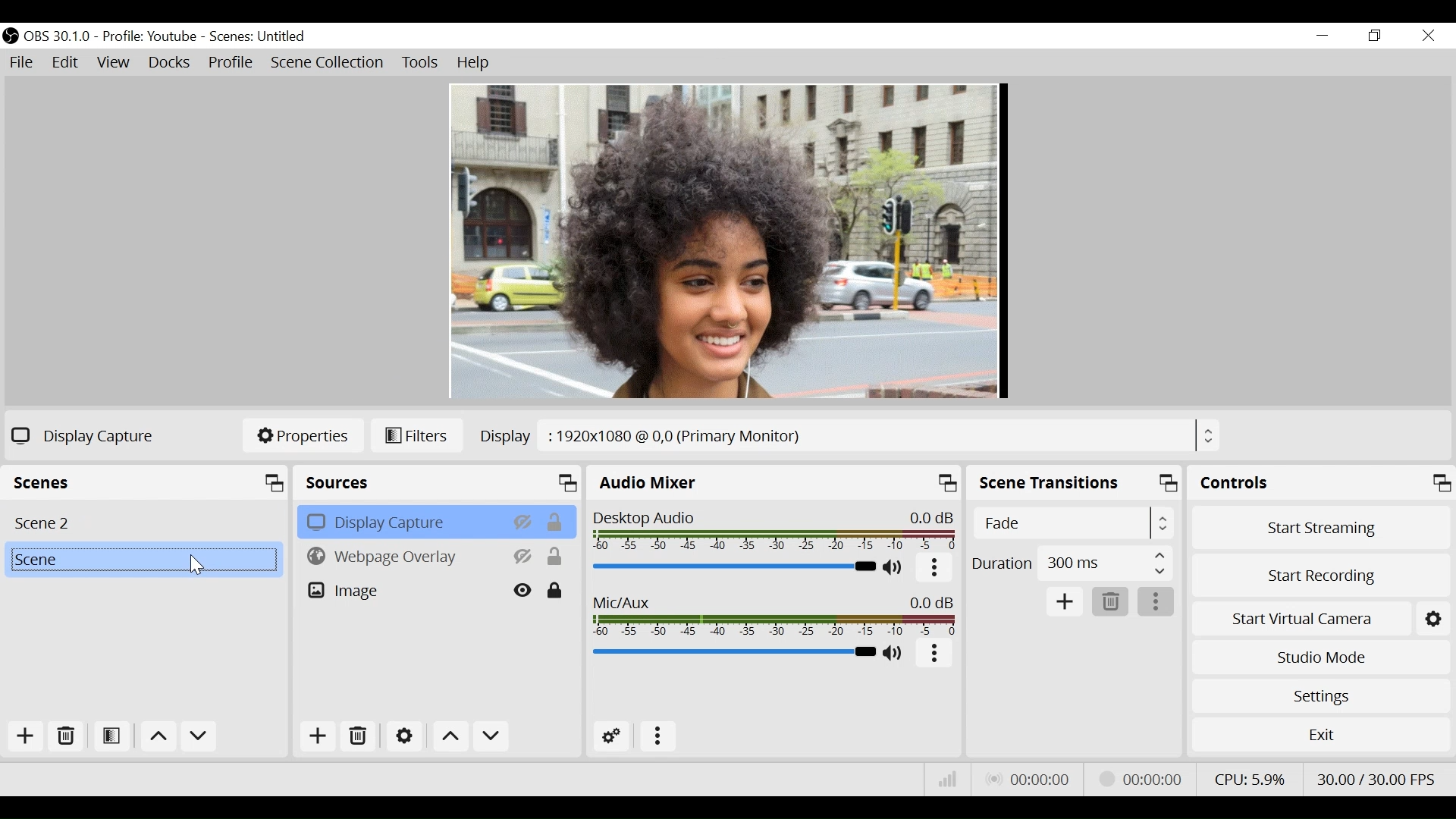 The width and height of the screenshot is (1456, 819). Describe the element at coordinates (402, 555) in the screenshot. I see `Webpage Overlay` at that location.